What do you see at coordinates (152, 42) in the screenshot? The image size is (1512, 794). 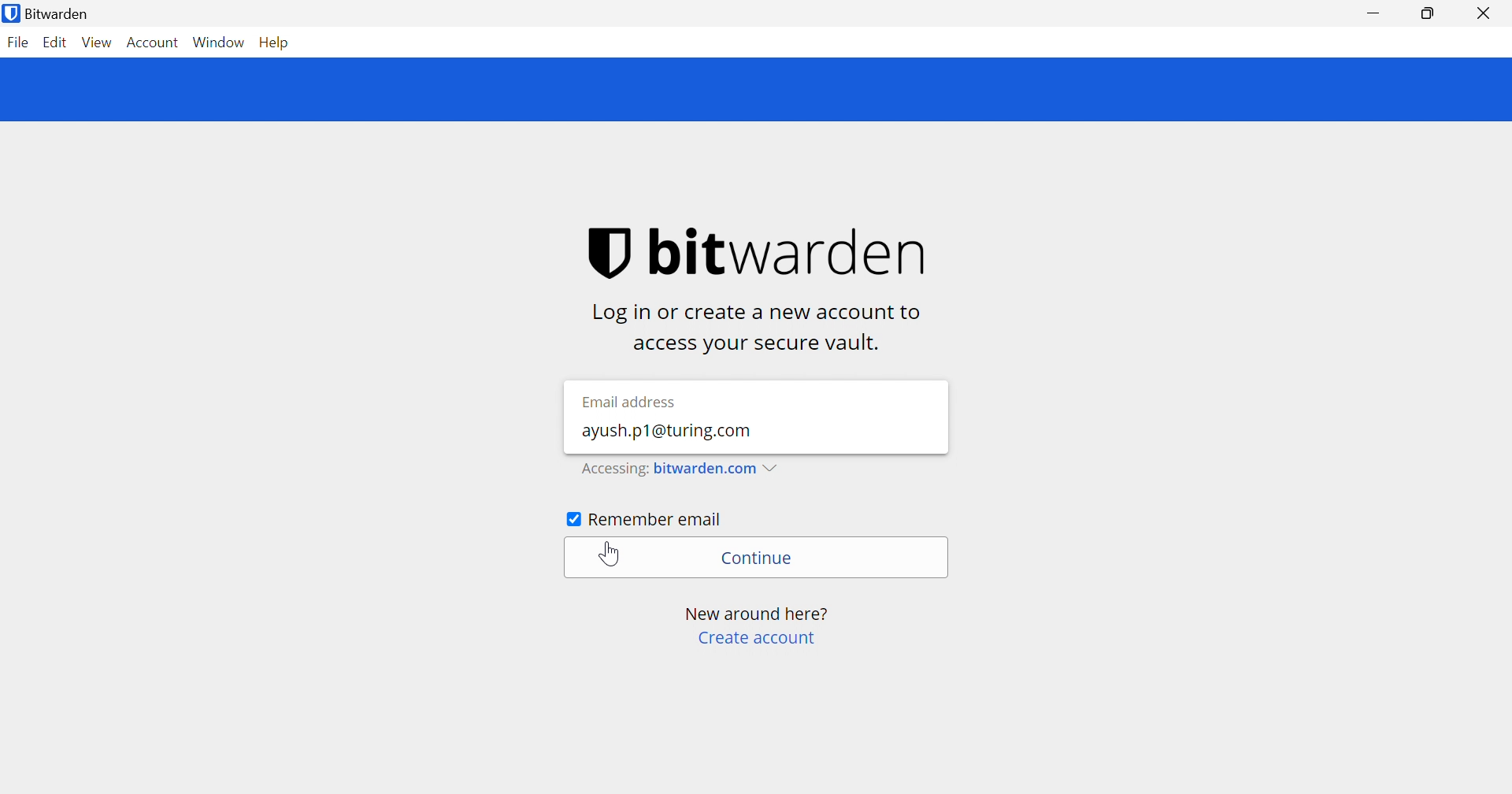 I see `Account` at bounding box center [152, 42].